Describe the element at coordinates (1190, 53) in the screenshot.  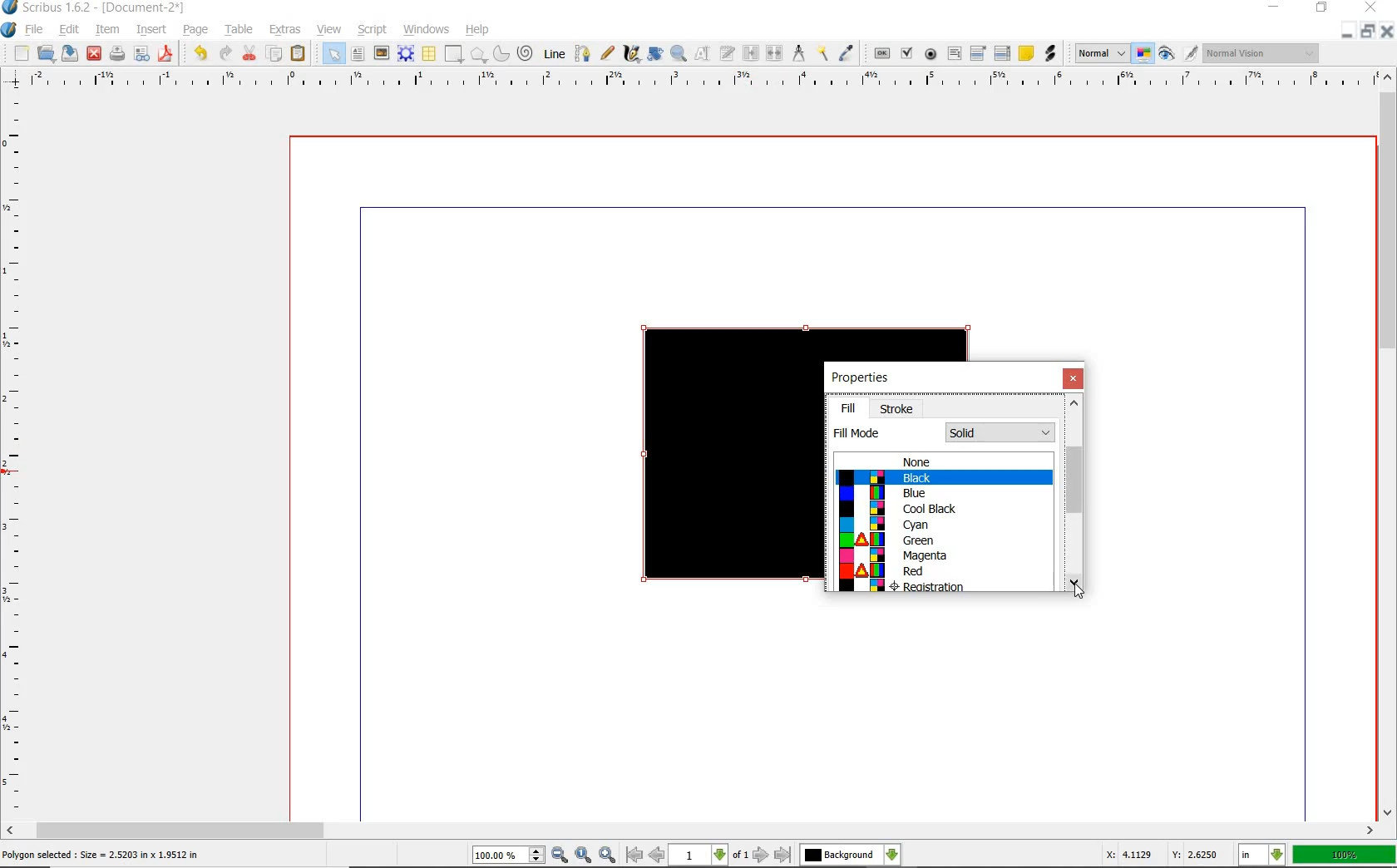
I see `edit in preview mode` at that location.